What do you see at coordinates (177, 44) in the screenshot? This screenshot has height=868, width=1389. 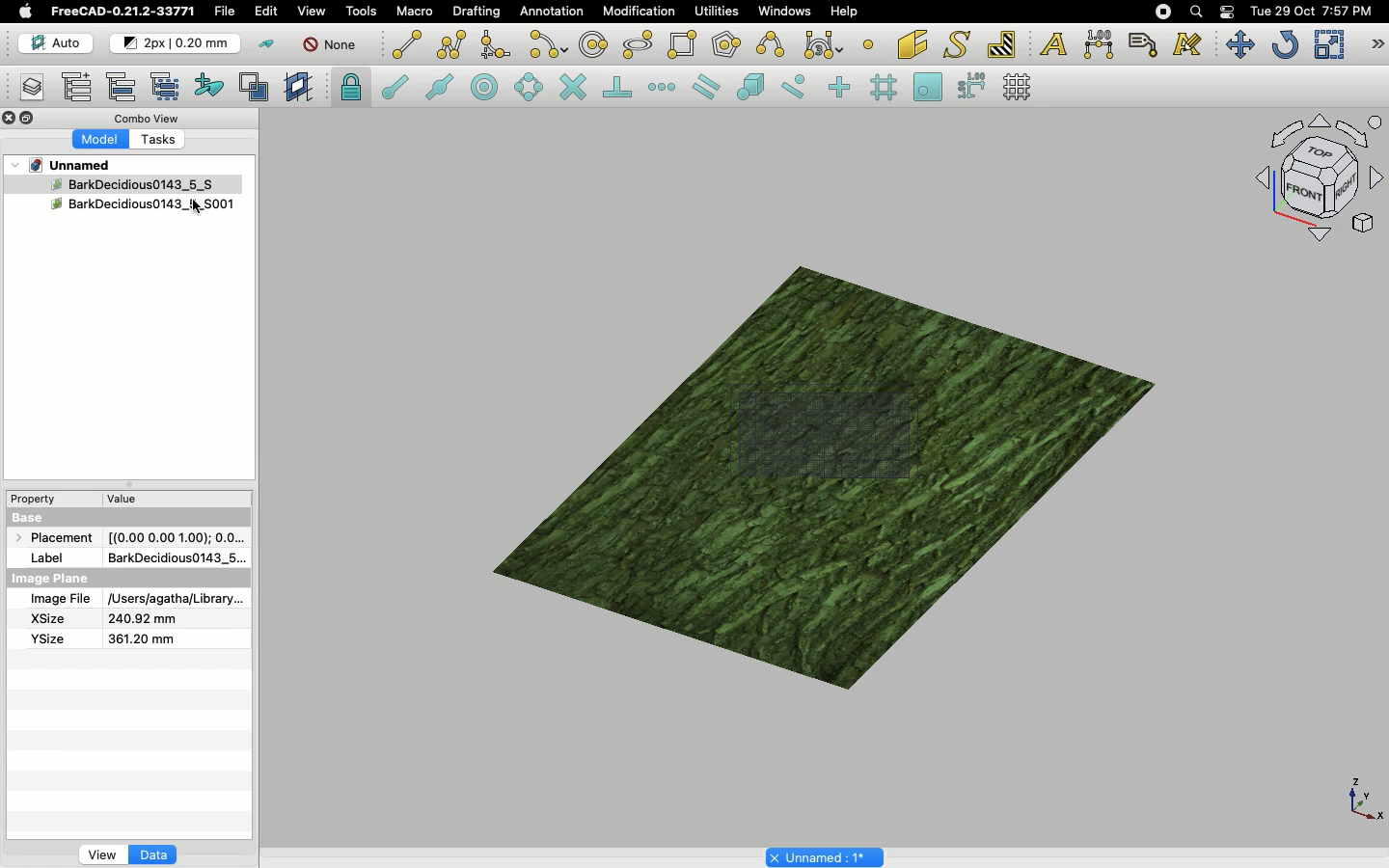 I see `Change default for new objects` at bounding box center [177, 44].